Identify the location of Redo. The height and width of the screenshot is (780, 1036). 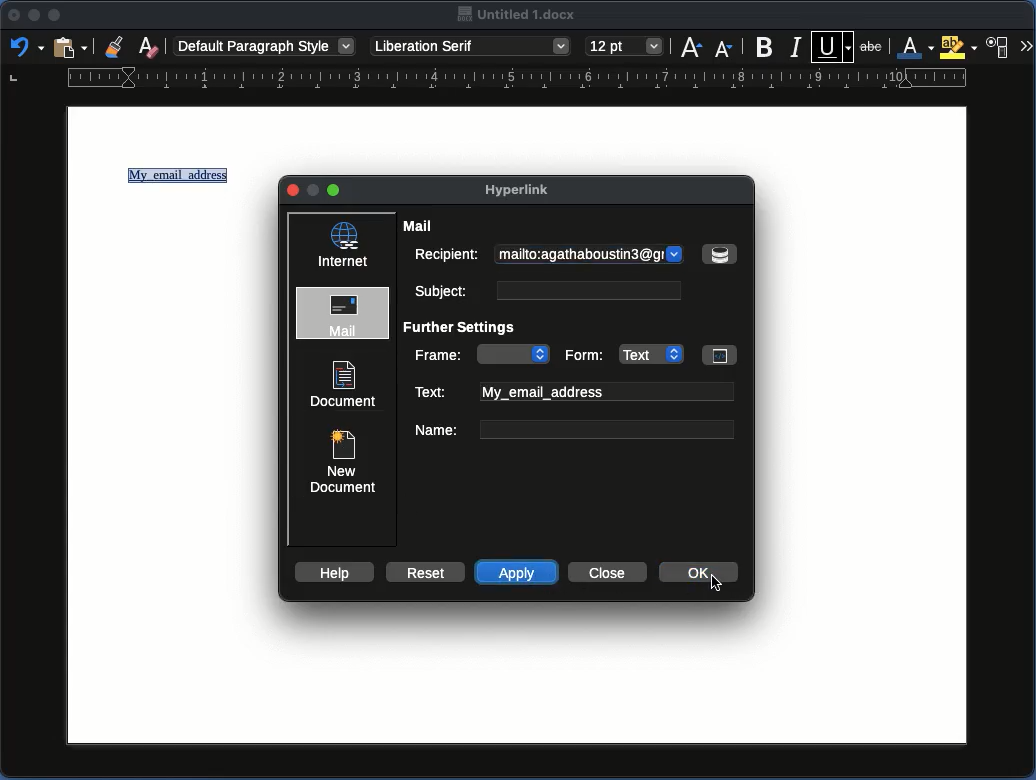
(25, 46).